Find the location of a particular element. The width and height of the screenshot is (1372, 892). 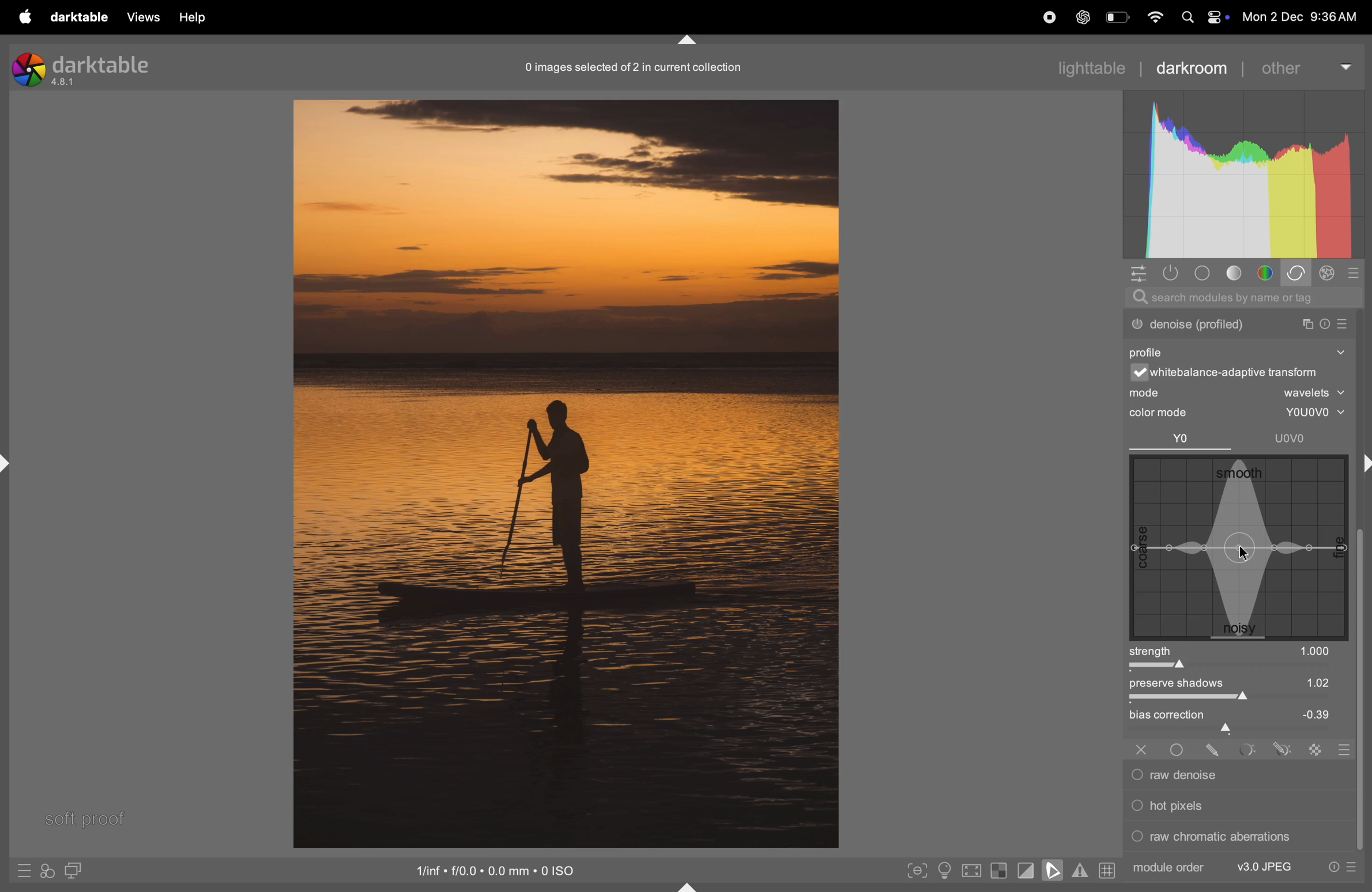

sign is located at coordinates (1329, 275).